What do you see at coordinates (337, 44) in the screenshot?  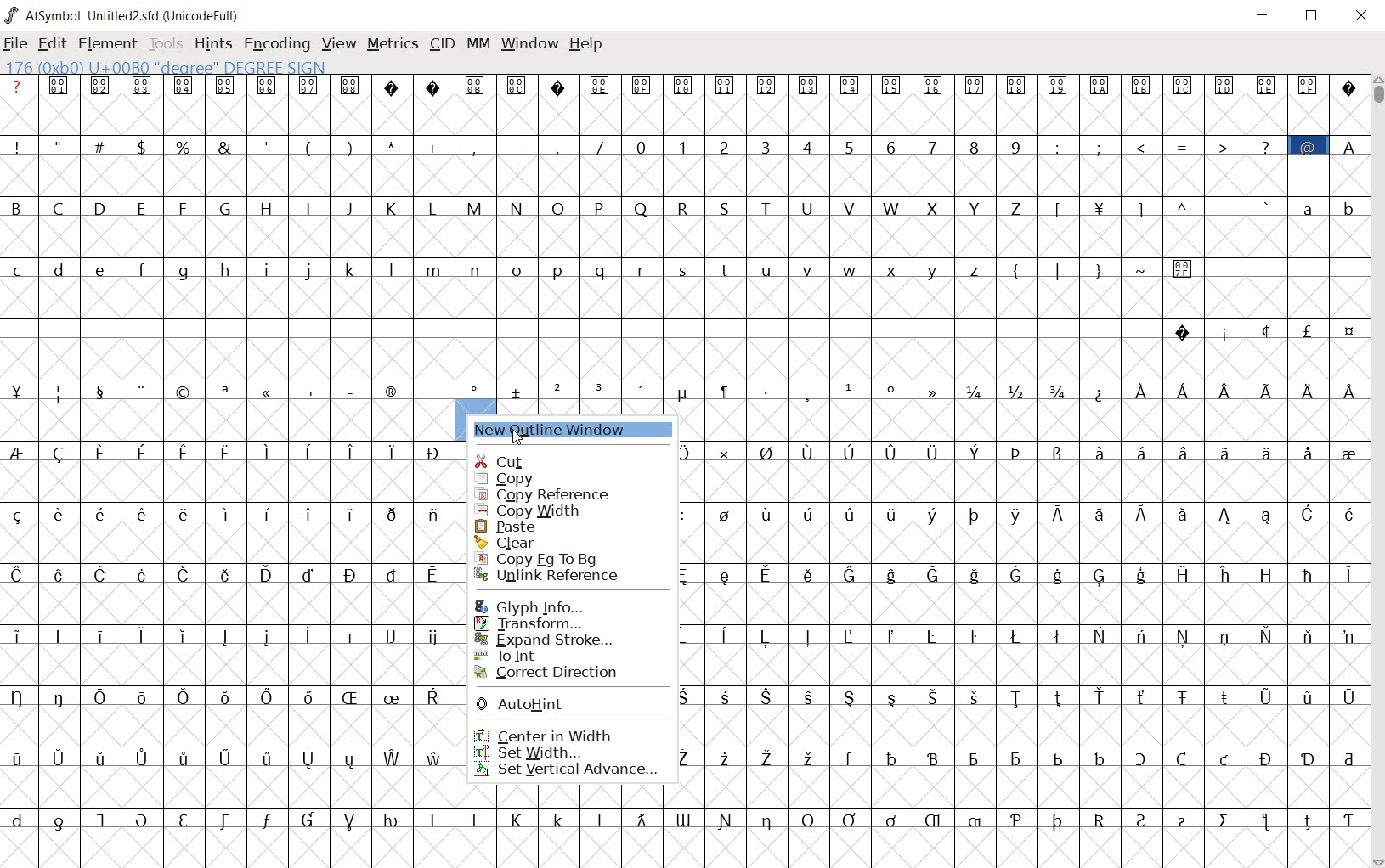 I see `view` at bounding box center [337, 44].